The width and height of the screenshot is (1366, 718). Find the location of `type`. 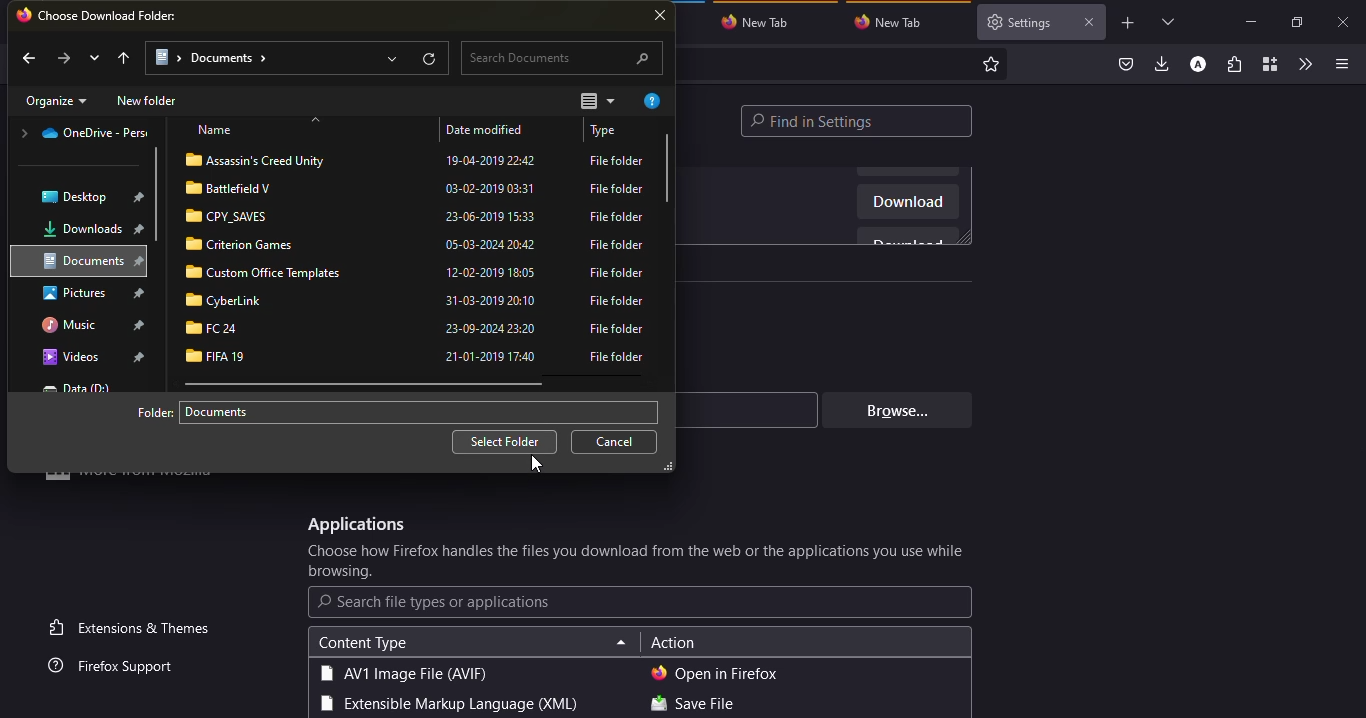

type is located at coordinates (403, 673).